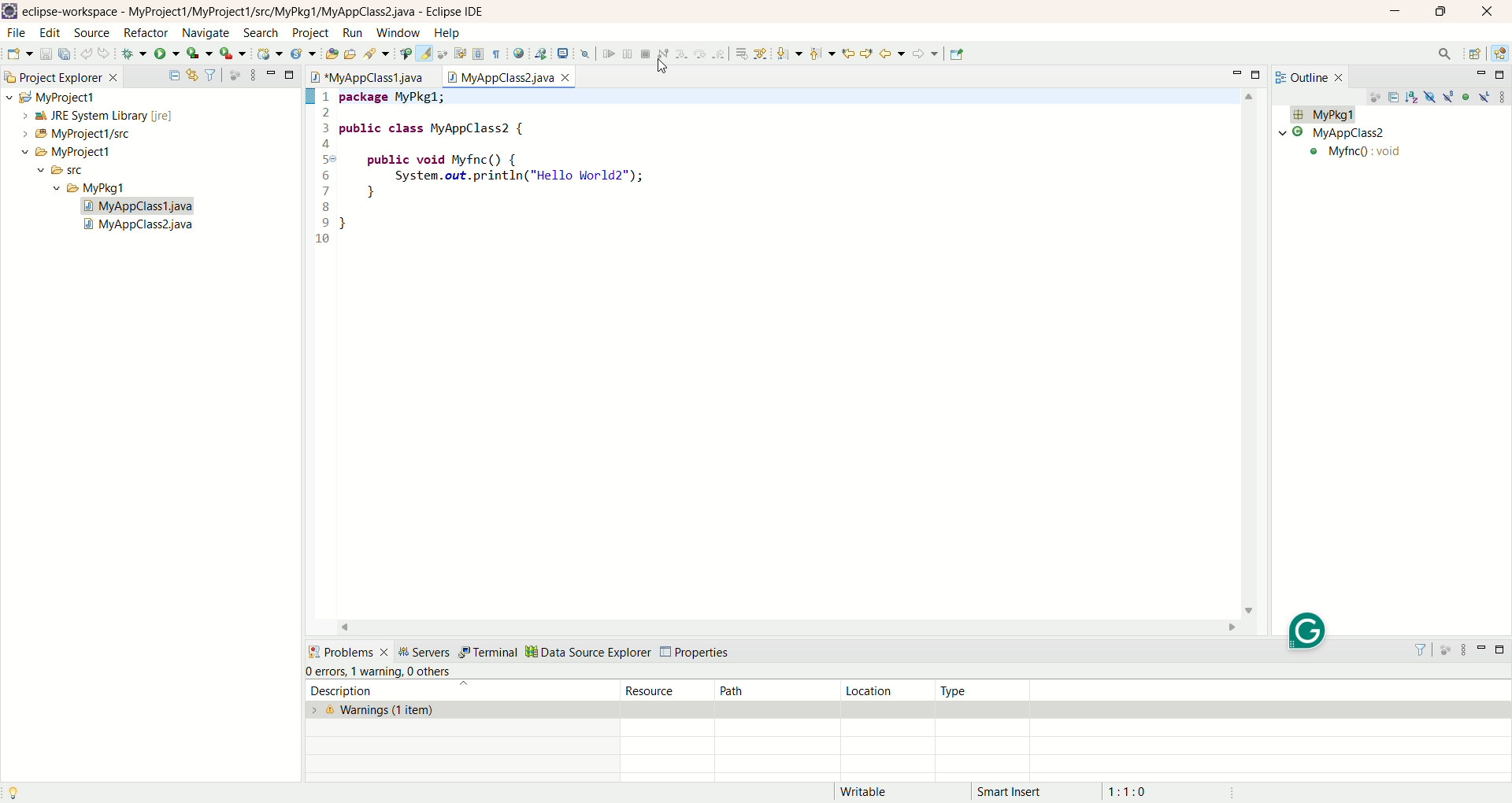 The width and height of the screenshot is (1512, 803). Describe the element at coordinates (1322, 115) in the screenshot. I see `myPkg1` at that location.